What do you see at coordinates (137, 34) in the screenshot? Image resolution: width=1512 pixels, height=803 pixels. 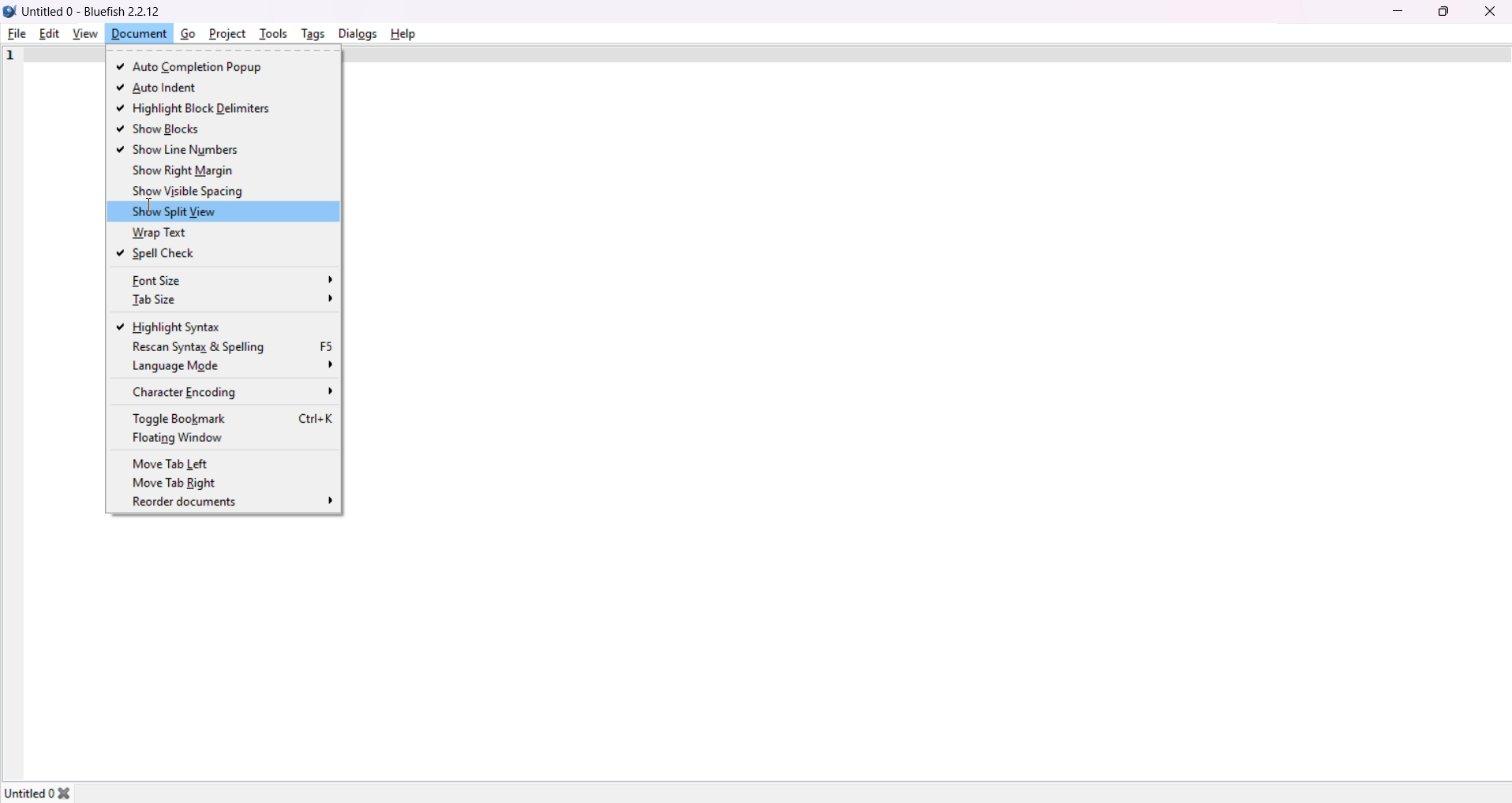 I see `document menu selected` at bounding box center [137, 34].